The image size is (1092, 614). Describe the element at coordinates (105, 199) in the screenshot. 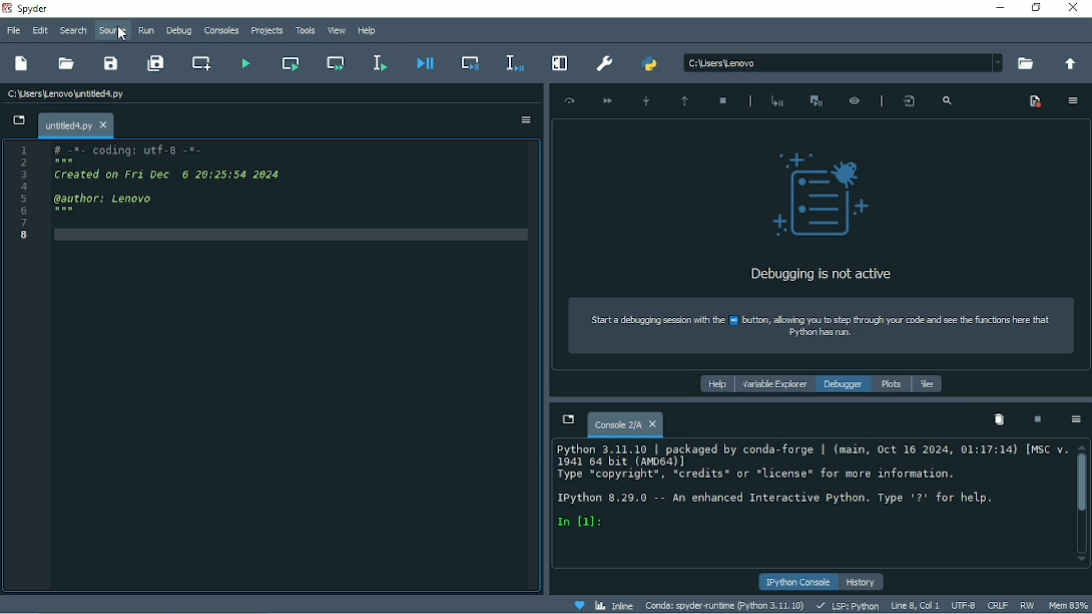

I see `author` at that location.